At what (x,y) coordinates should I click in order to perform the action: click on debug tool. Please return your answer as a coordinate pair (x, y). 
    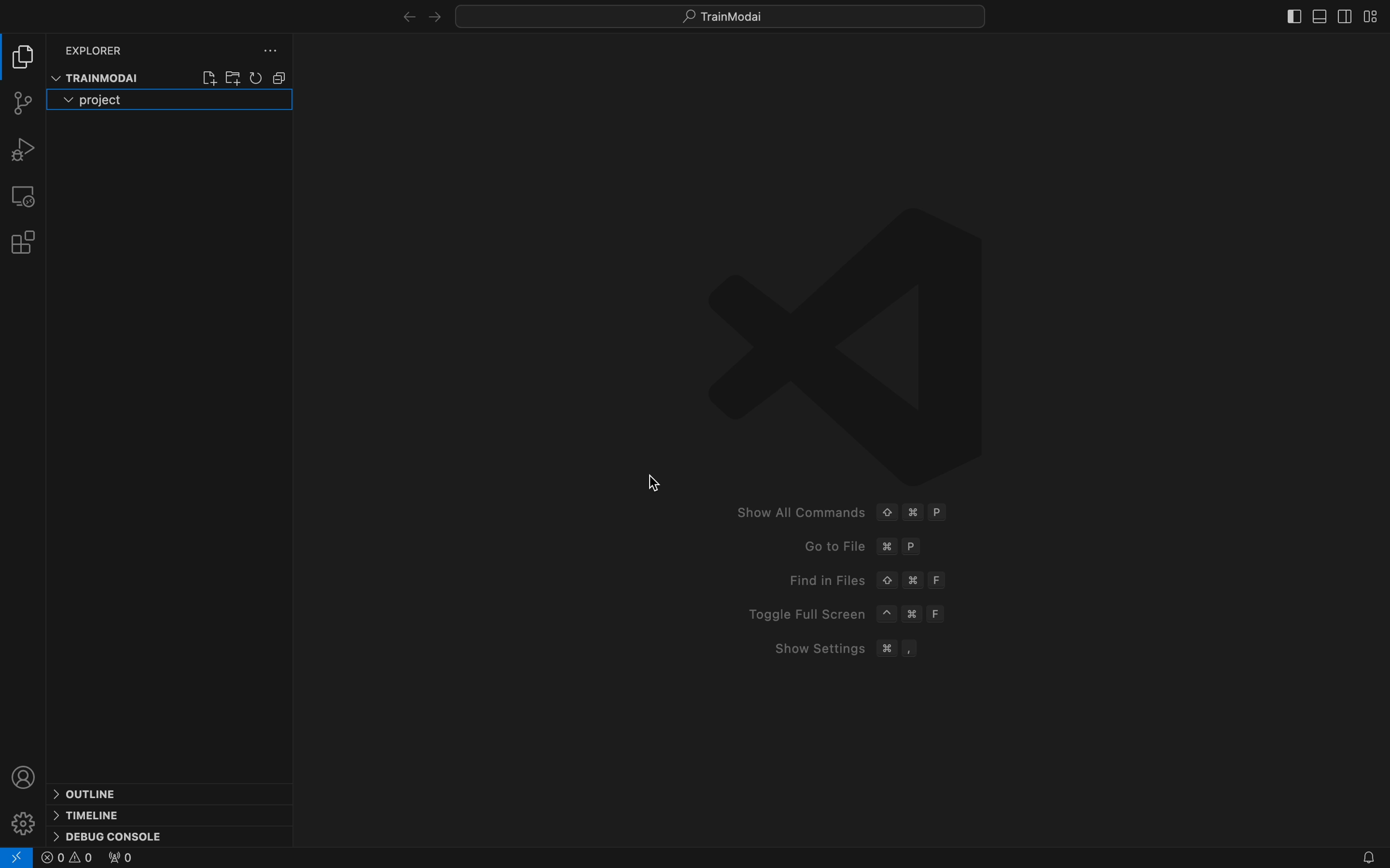
    Looking at the image, I should click on (25, 150).